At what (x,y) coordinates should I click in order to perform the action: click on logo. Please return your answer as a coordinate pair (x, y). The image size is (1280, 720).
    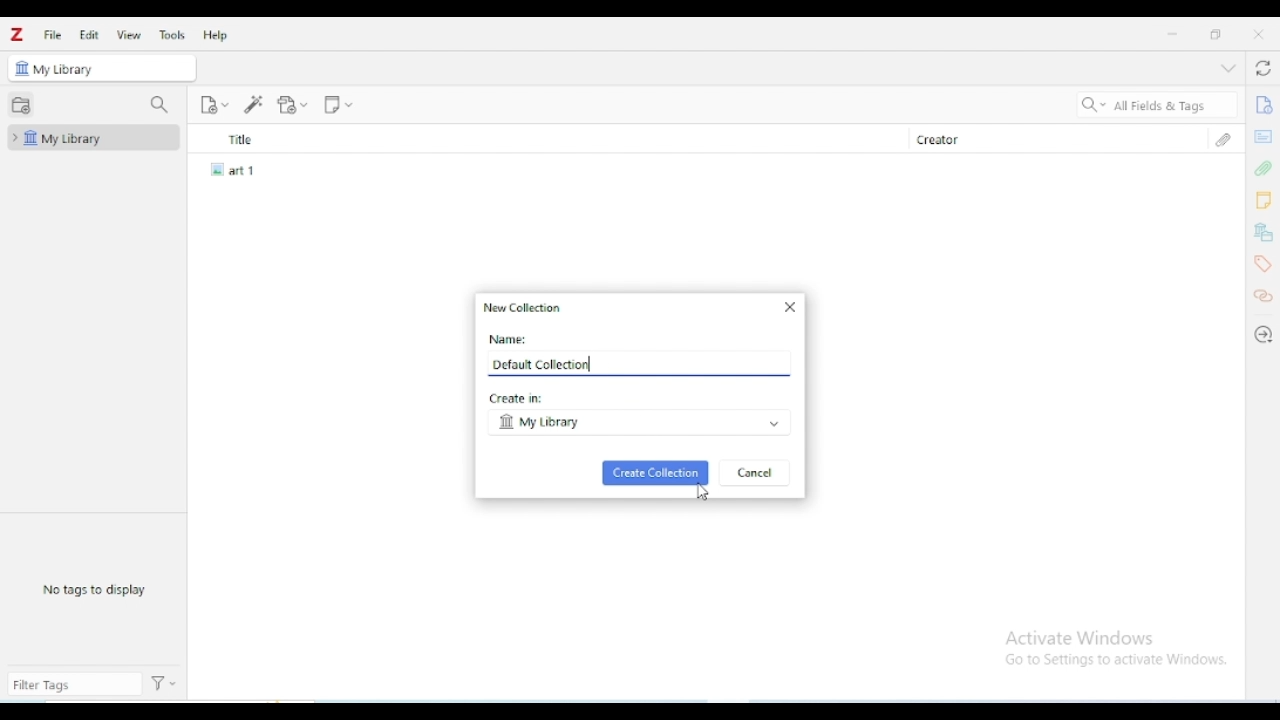
    Looking at the image, I should click on (17, 34).